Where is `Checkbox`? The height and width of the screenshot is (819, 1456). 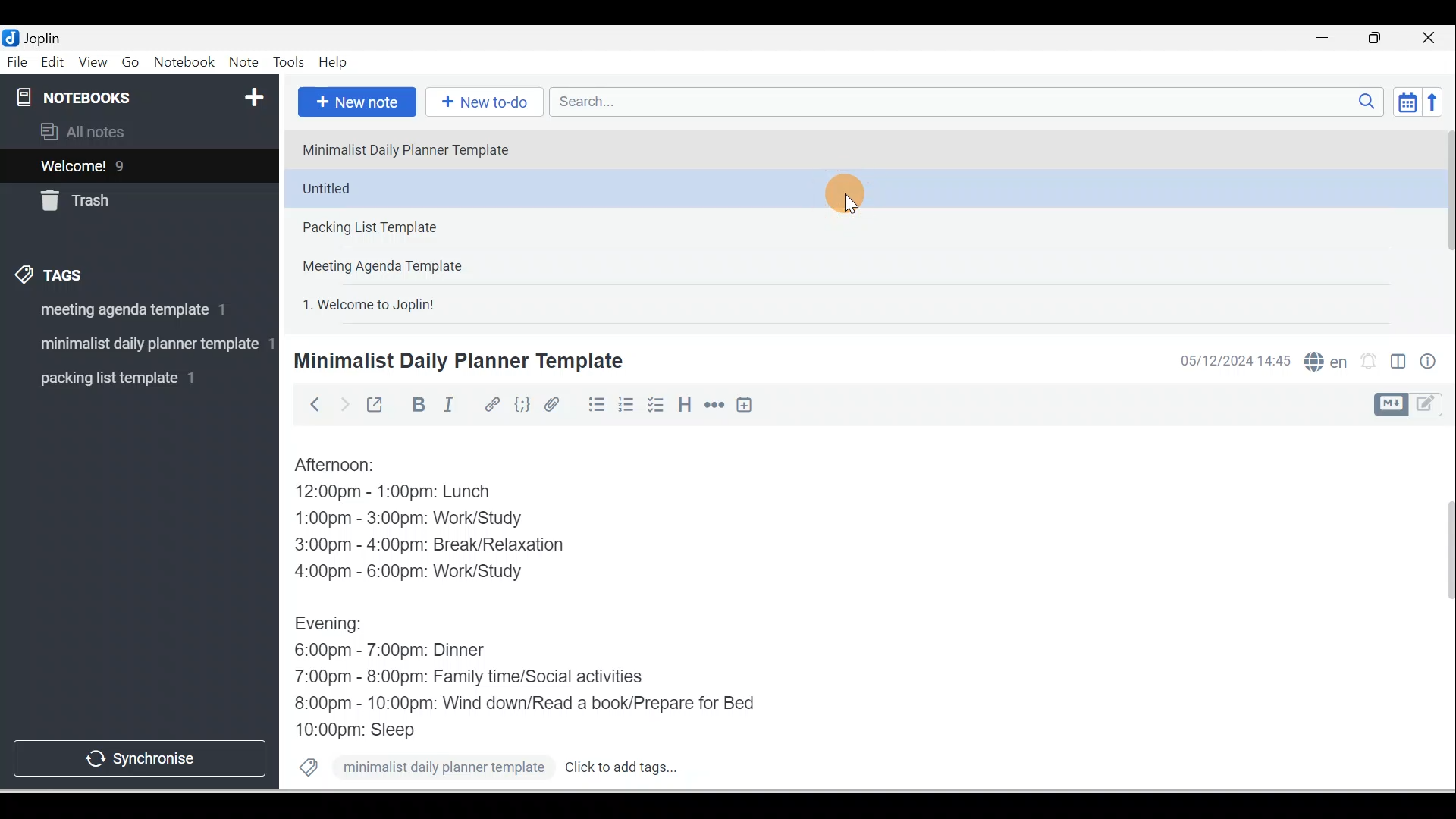 Checkbox is located at coordinates (654, 405).